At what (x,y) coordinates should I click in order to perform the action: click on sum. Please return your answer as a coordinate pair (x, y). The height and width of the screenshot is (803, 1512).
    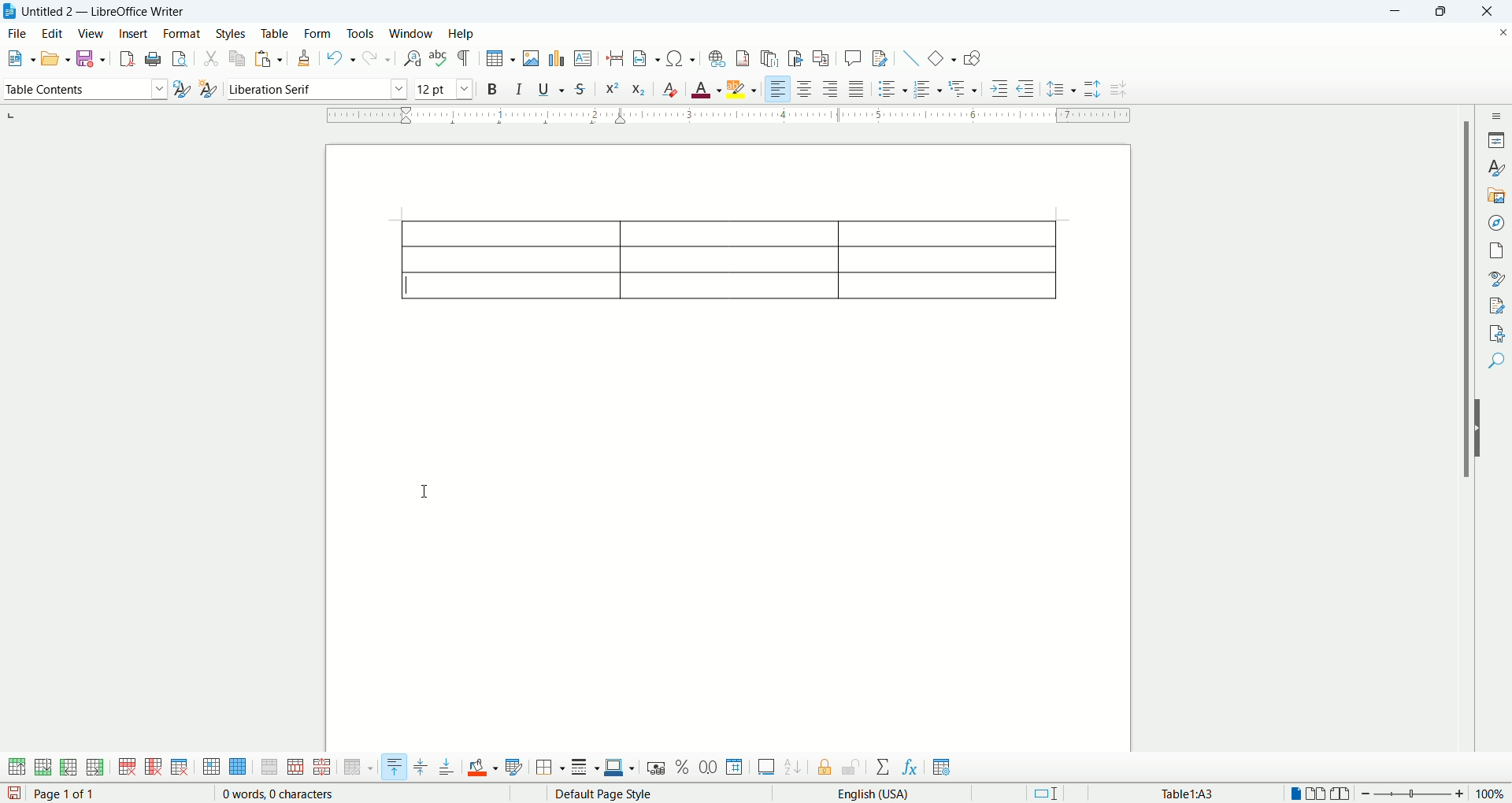
    Looking at the image, I should click on (884, 767).